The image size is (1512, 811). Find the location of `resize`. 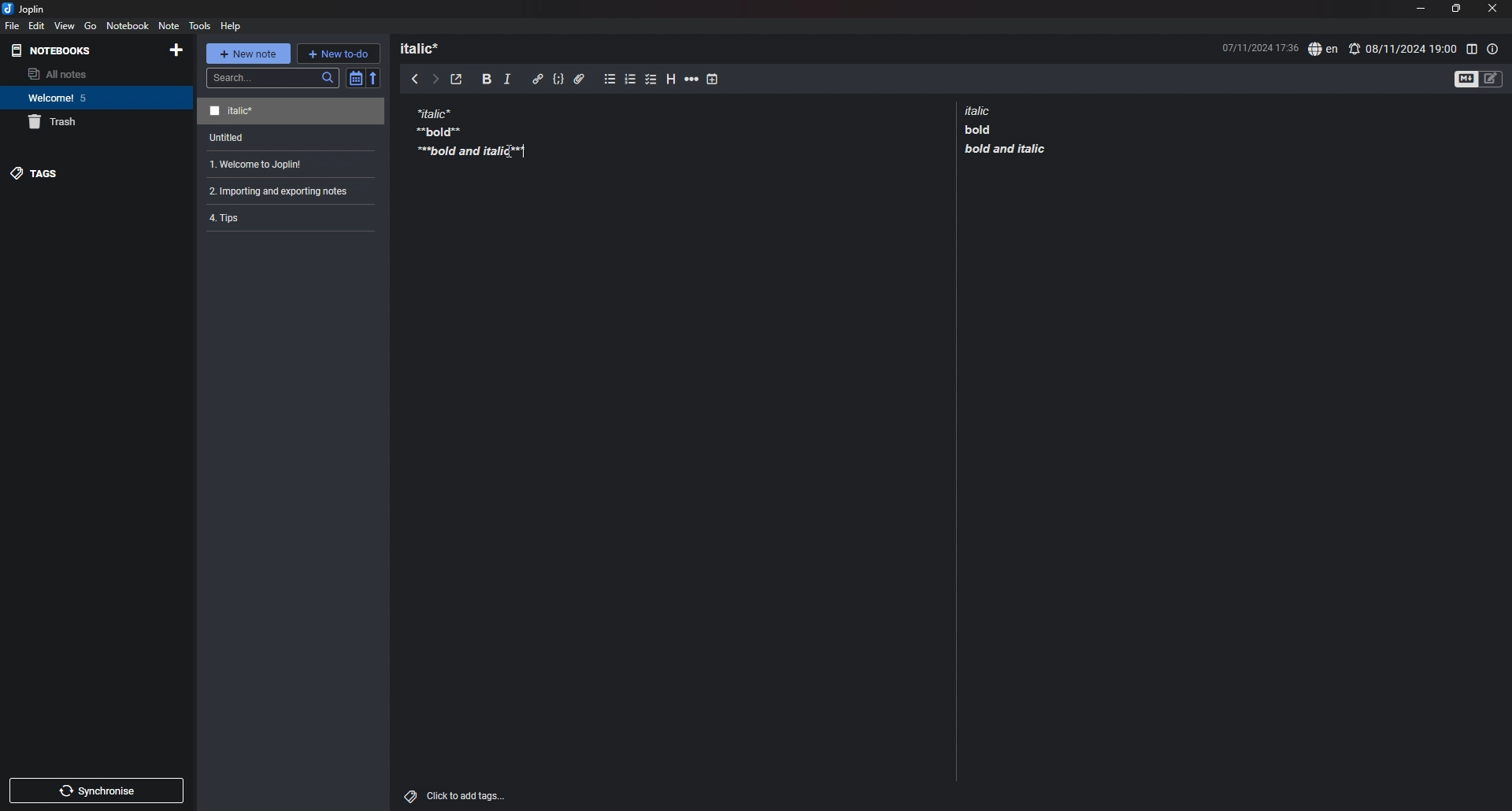

resize is located at coordinates (1455, 9).